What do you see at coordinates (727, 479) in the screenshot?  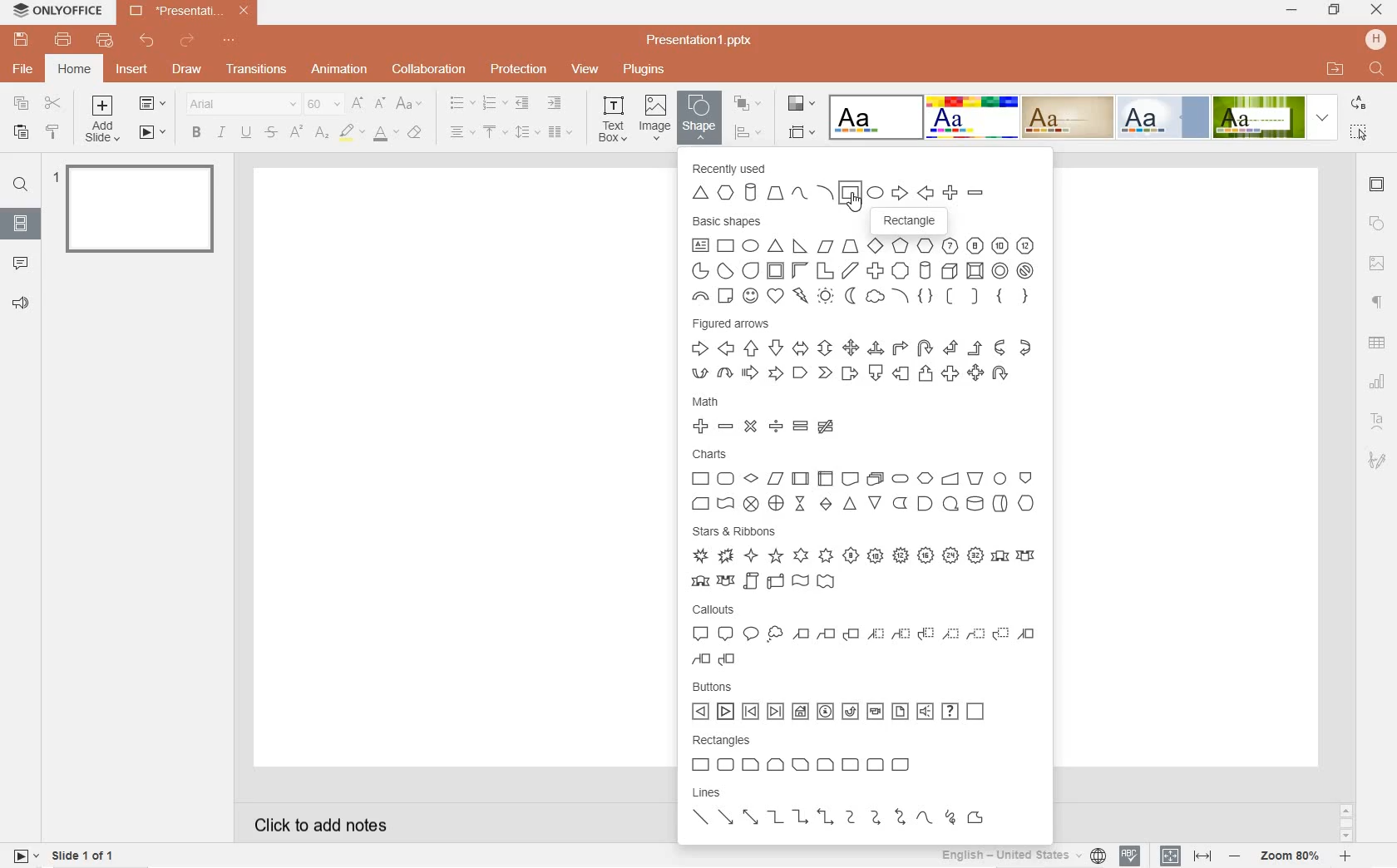 I see `Alternate Process` at bounding box center [727, 479].